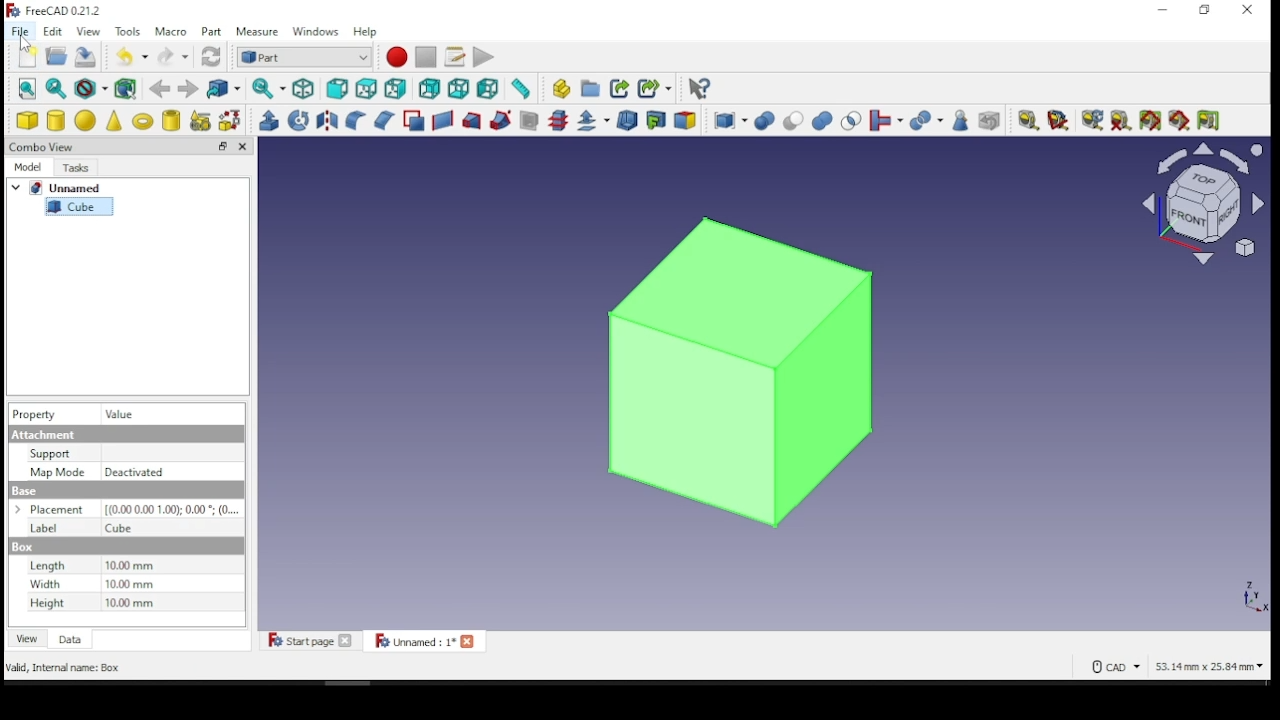  Describe the element at coordinates (397, 57) in the screenshot. I see `macro recording` at that location.